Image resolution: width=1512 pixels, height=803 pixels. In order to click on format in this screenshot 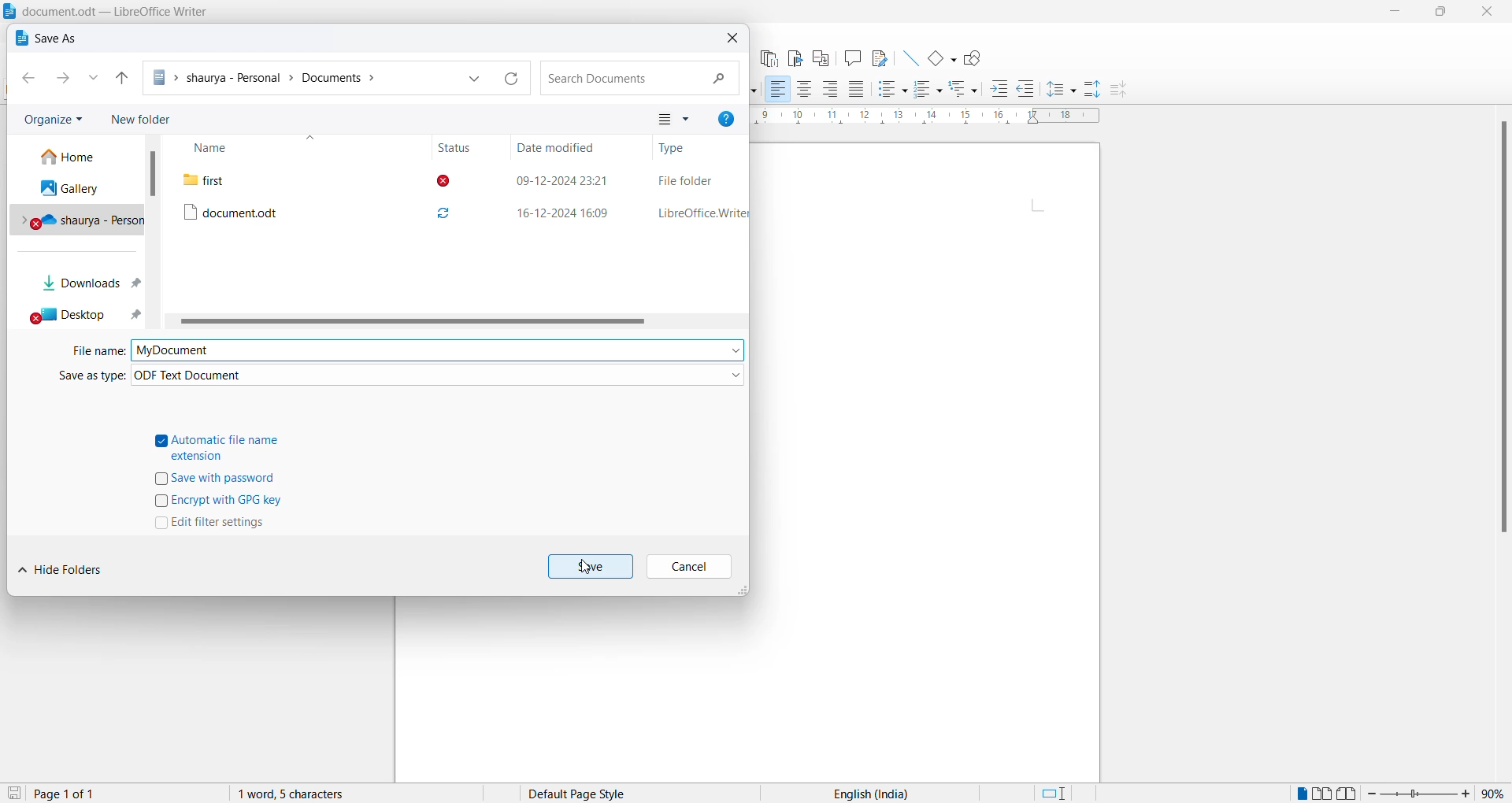, I will do `click(438, 377)`.